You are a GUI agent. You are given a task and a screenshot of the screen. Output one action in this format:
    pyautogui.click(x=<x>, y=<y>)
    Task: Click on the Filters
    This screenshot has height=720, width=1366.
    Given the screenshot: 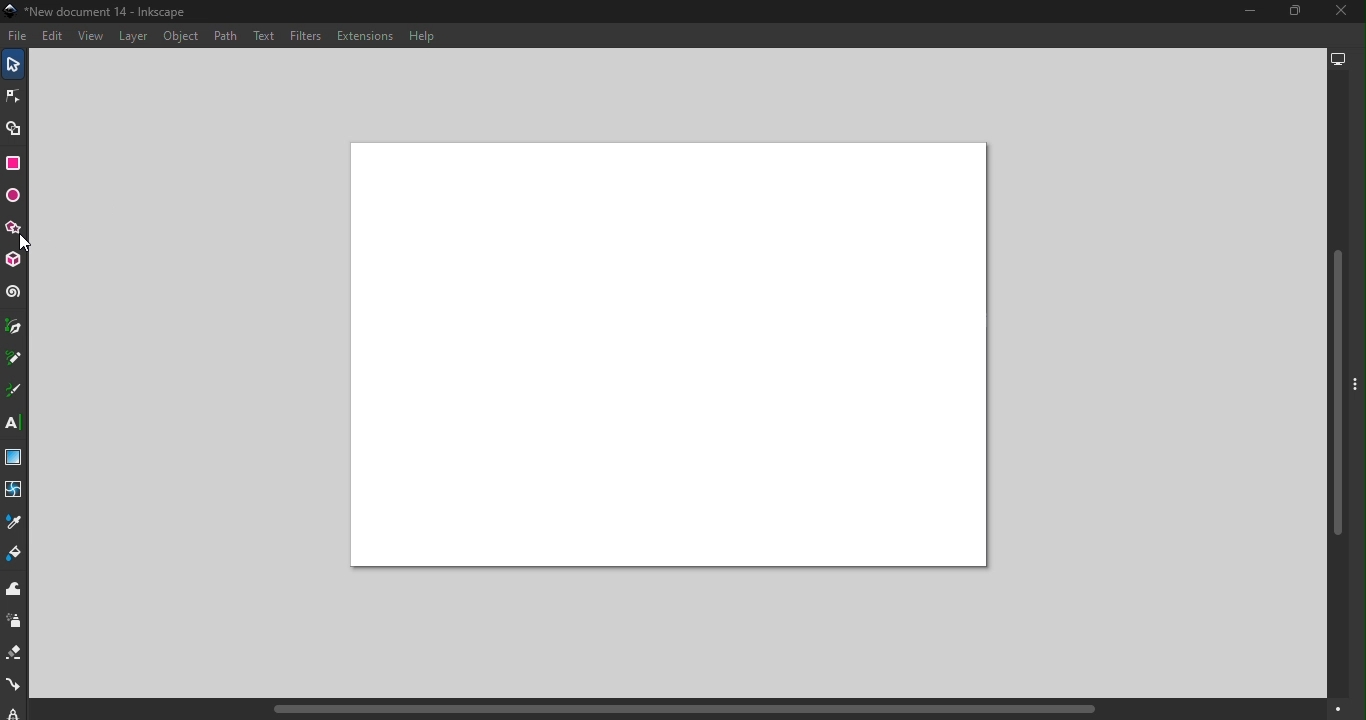 What is the action you would take?
    pyautogui.click(x=306, y=36)
    